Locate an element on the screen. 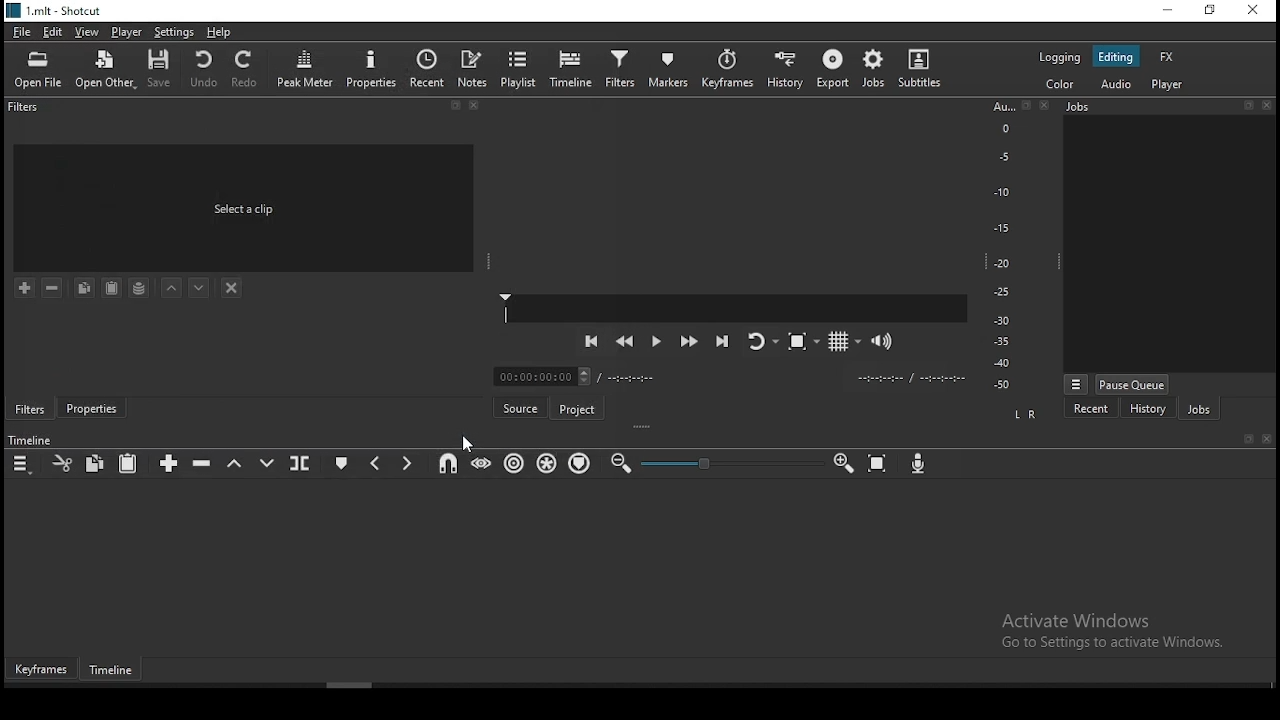  Bookmark is located at coordinates (1248, 439).